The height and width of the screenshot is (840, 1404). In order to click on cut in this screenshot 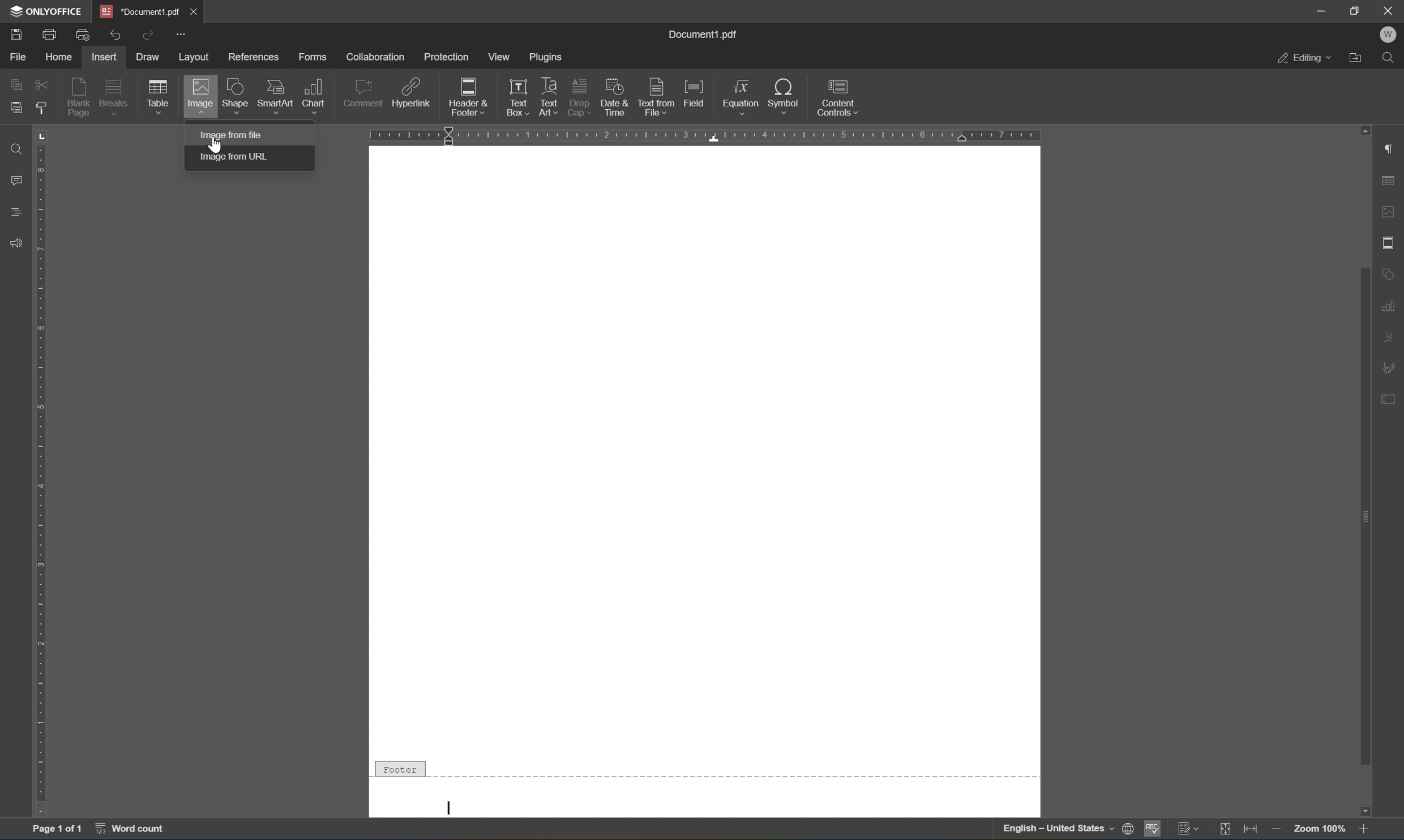, I will do `click(40, 83)`.